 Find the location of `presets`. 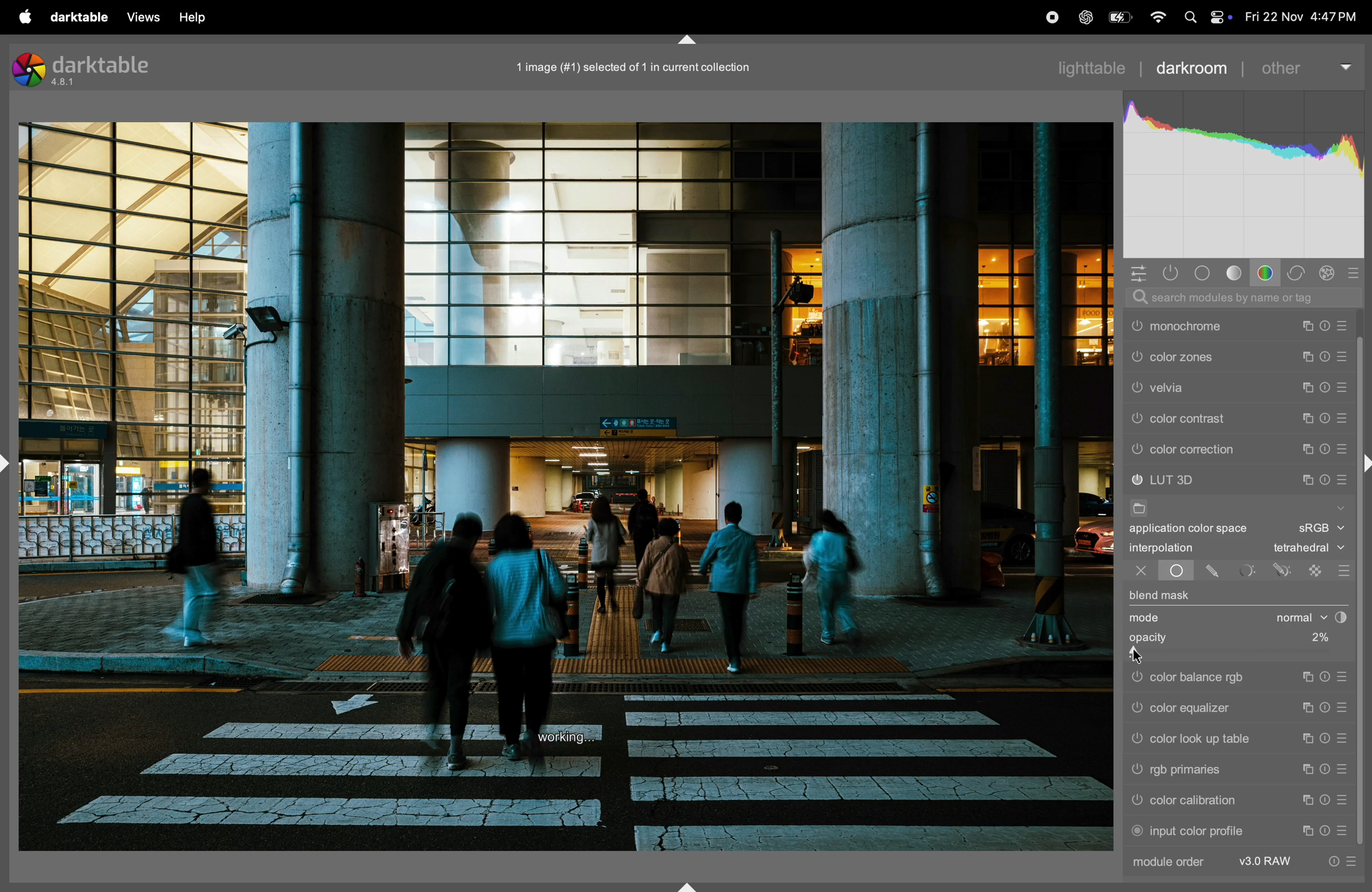

presets is located at coordinates (1343, 322).